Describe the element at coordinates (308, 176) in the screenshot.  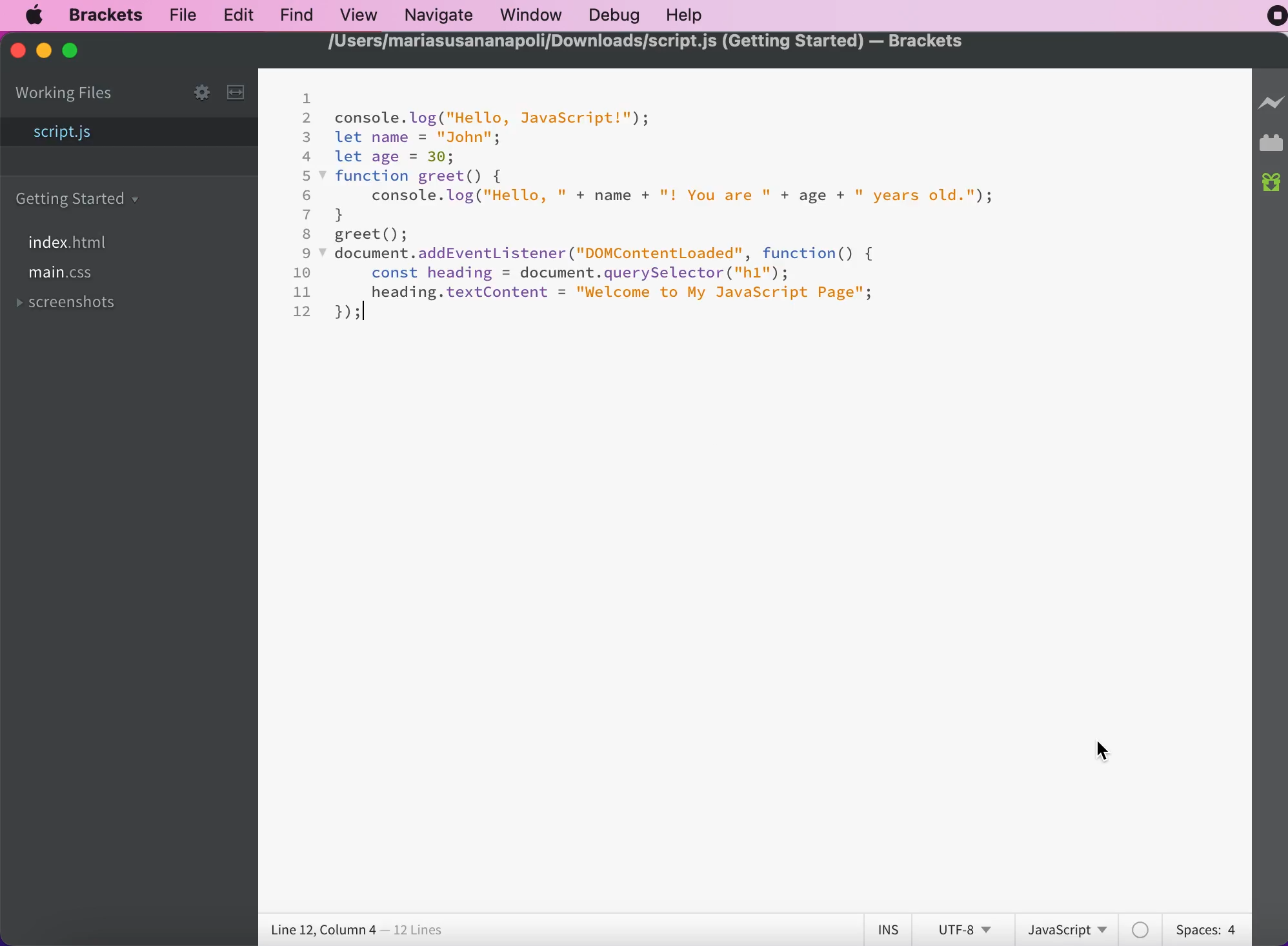
I see `5` at that location.